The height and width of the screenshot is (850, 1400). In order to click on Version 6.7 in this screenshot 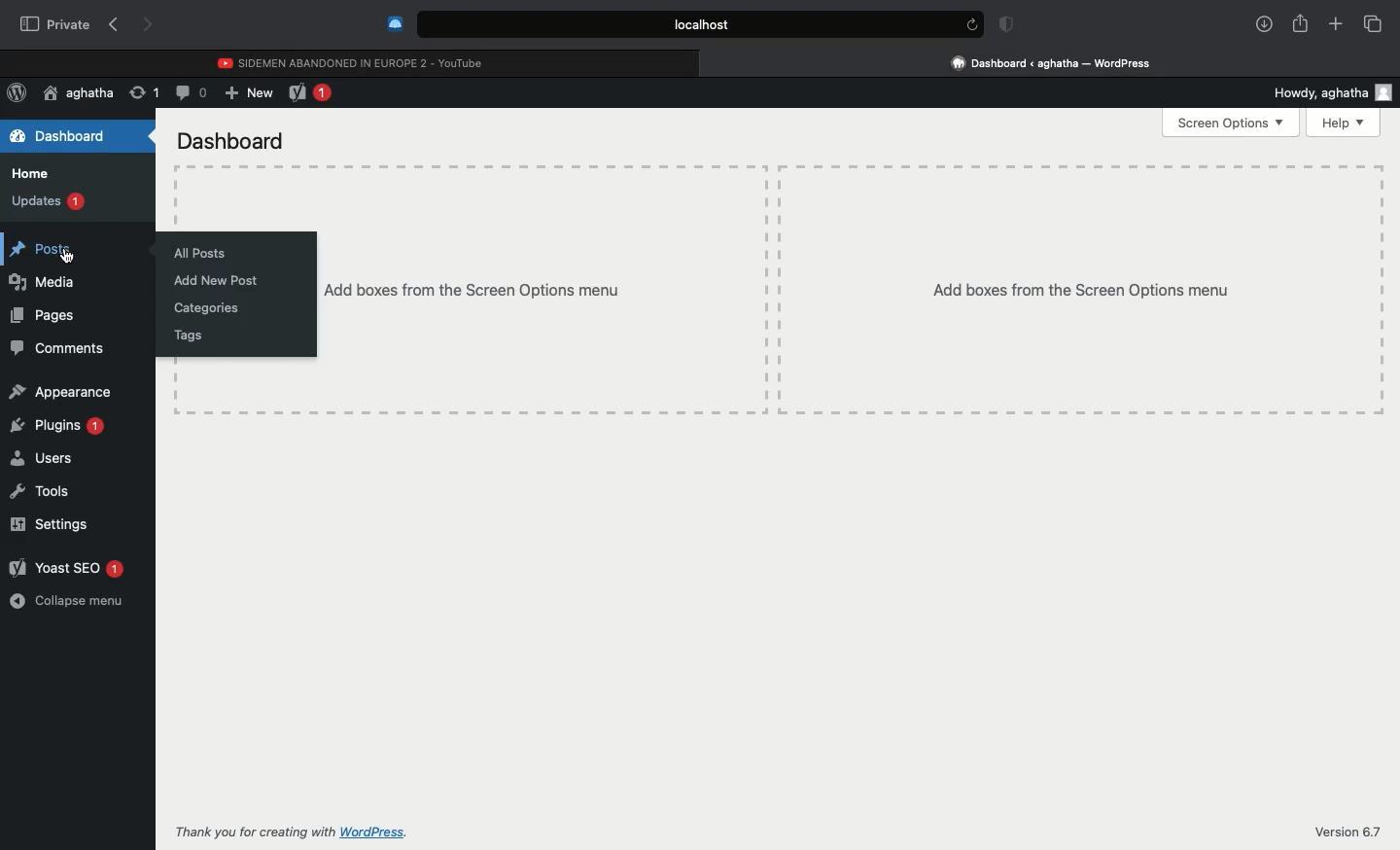, I will do `click(1349, 832)`.